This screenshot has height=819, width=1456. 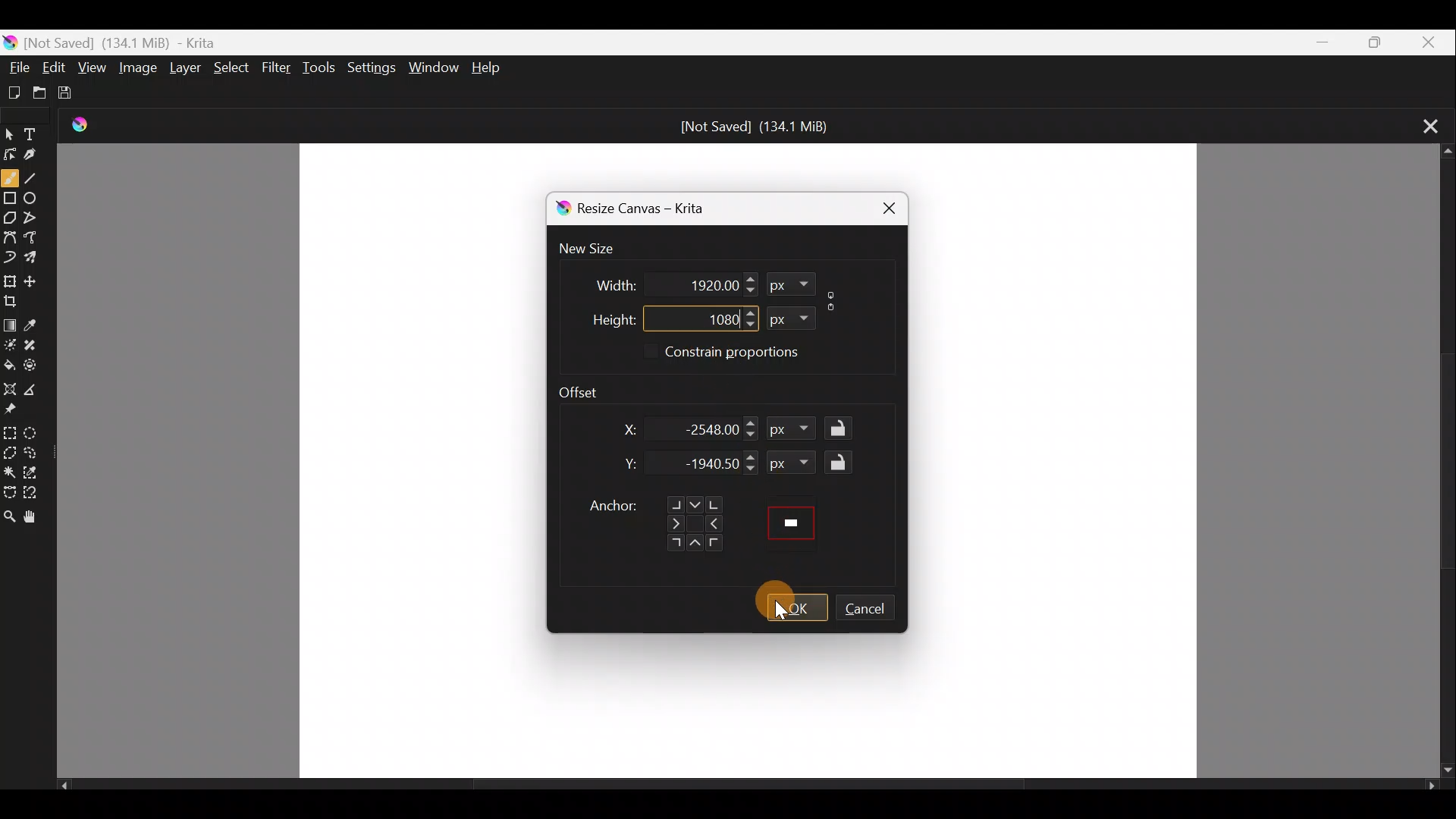 What do you see at coordinates (11, 200) in the screenshot?
I see `Rectangle tool` at bounding box center [11, 200].